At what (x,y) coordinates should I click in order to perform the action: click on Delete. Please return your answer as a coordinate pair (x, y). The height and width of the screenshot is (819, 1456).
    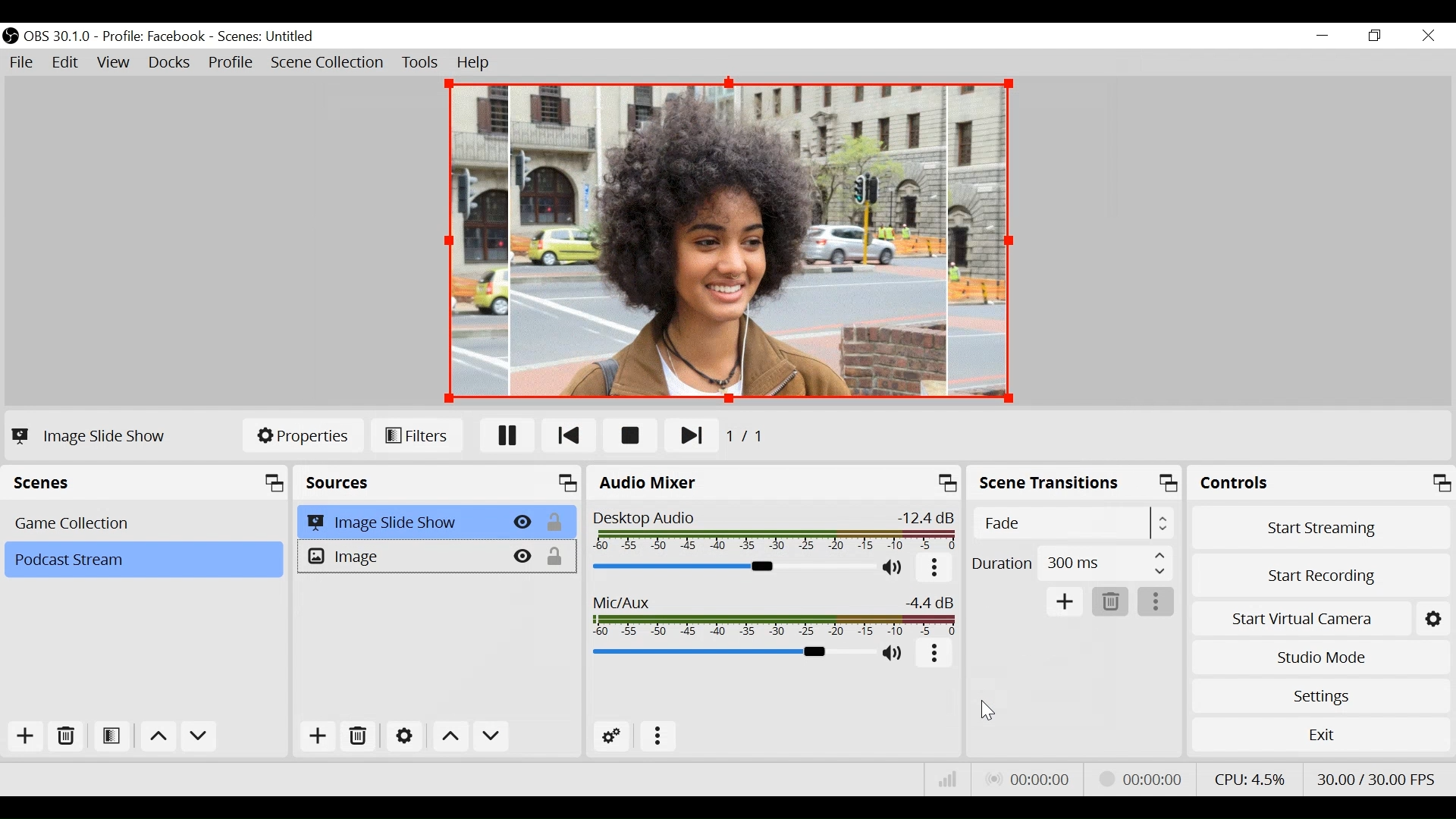
    Looking at the image, I should click on (1111, 603).